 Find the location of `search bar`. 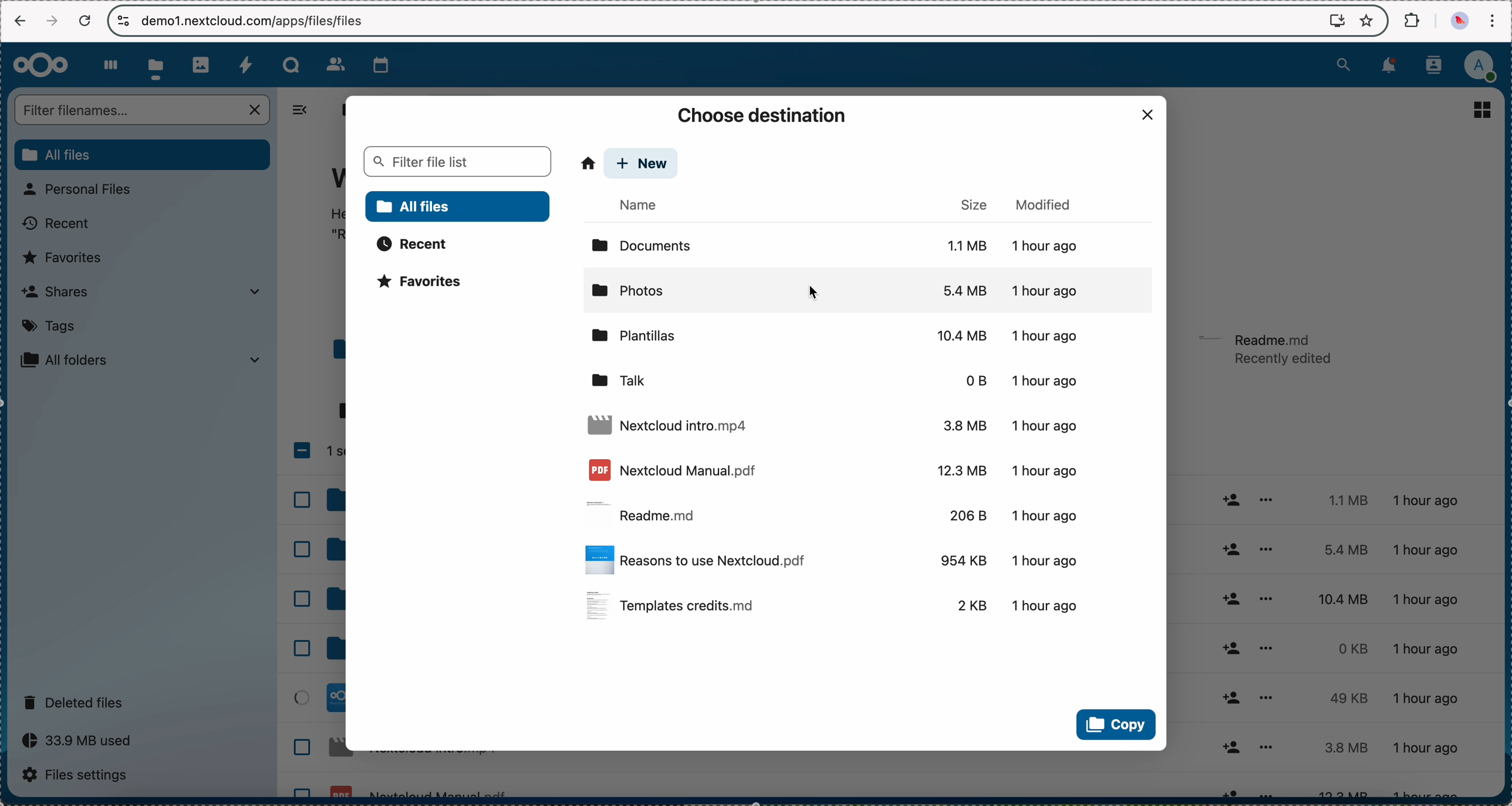

search bar is located at coordinates (456, 161).